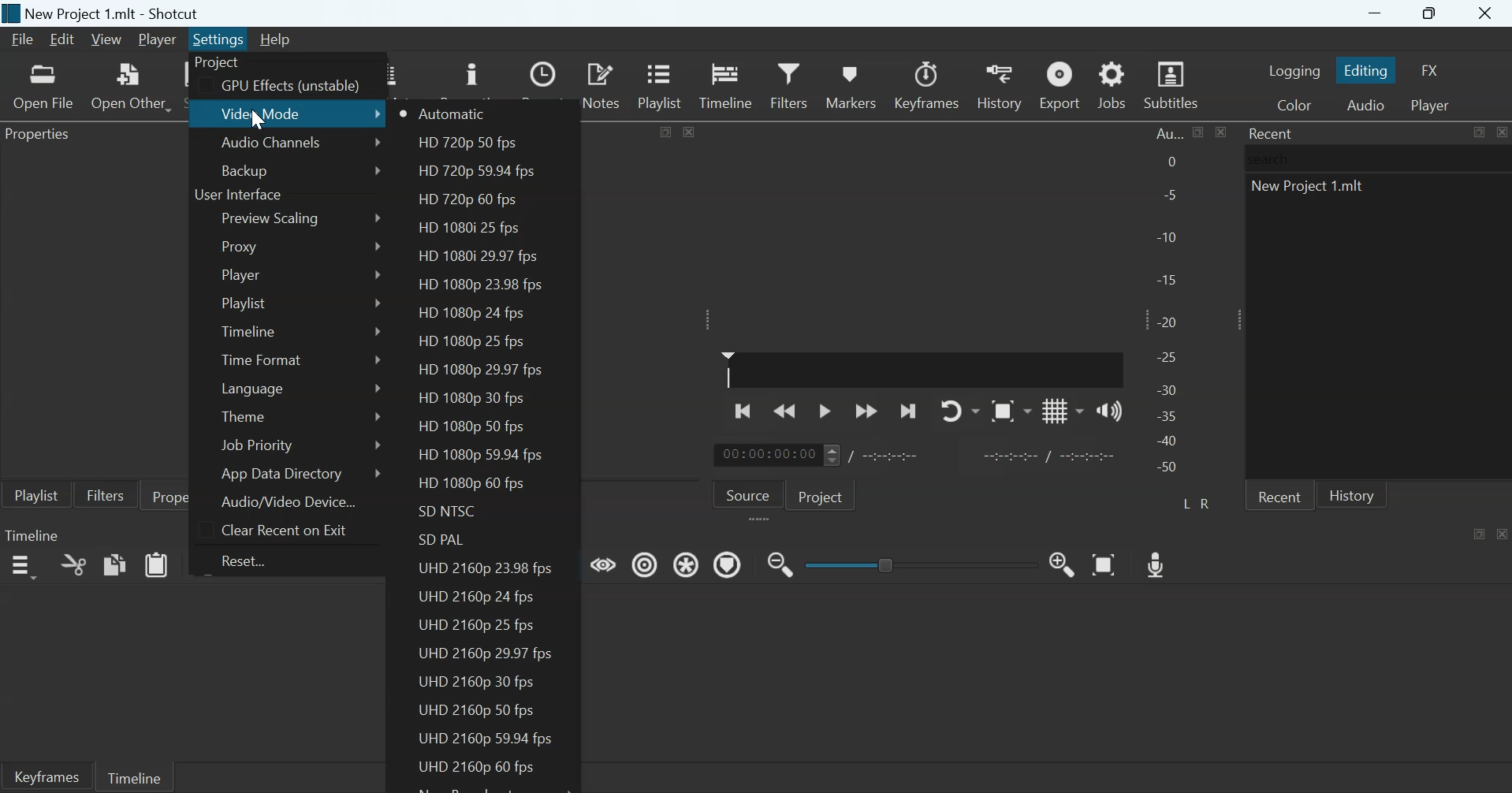 Image resolution: width=1512 pixels, height=793 pixels. Describe the element at coordinates (1431, 70) in the screenshot. I see `Switch to the effects layout` at that location.